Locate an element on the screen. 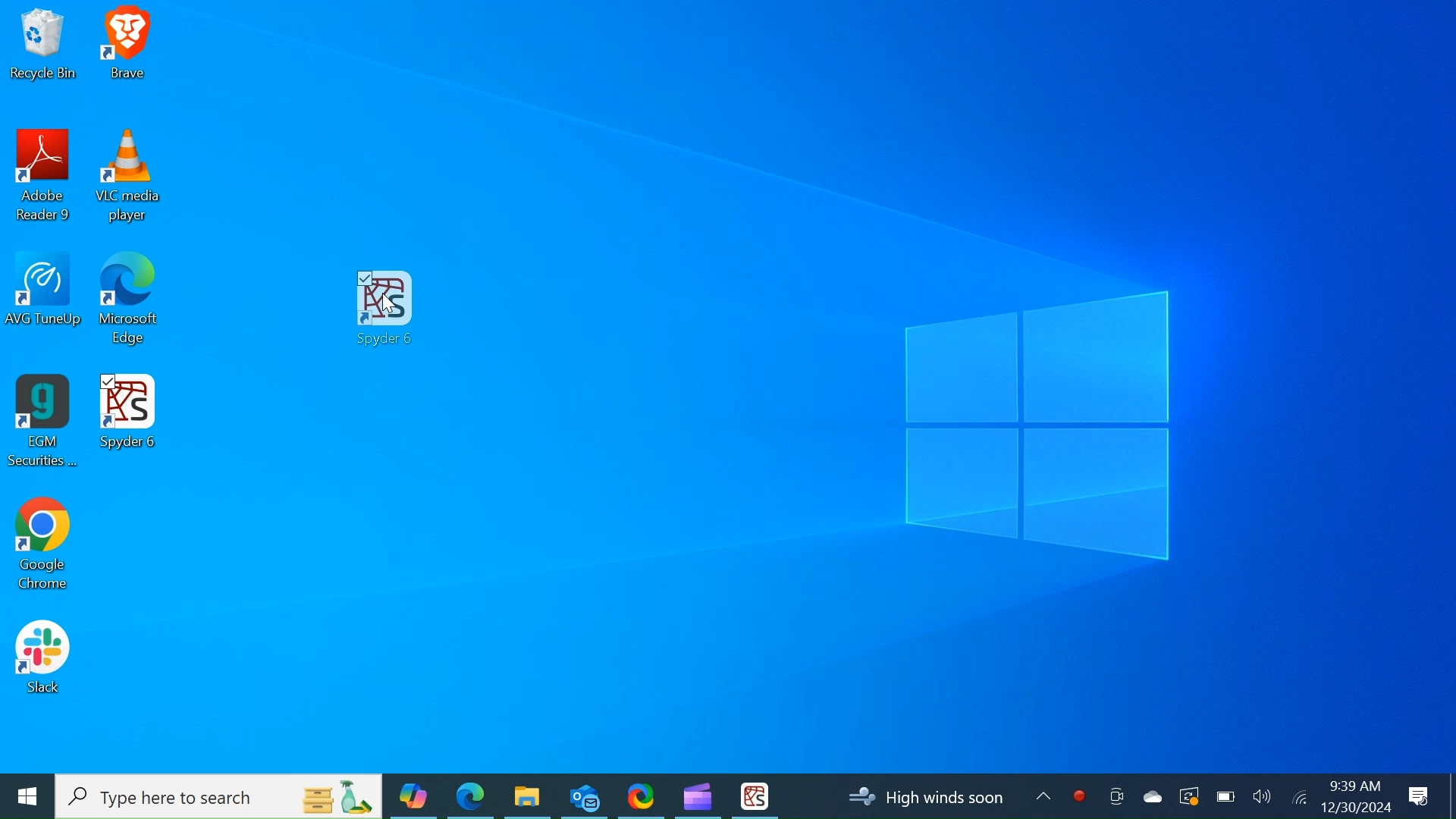 This screenshot has width=1456, height=819. Microsoft Edge Desktop Icon is located at coordinates (130, 305).